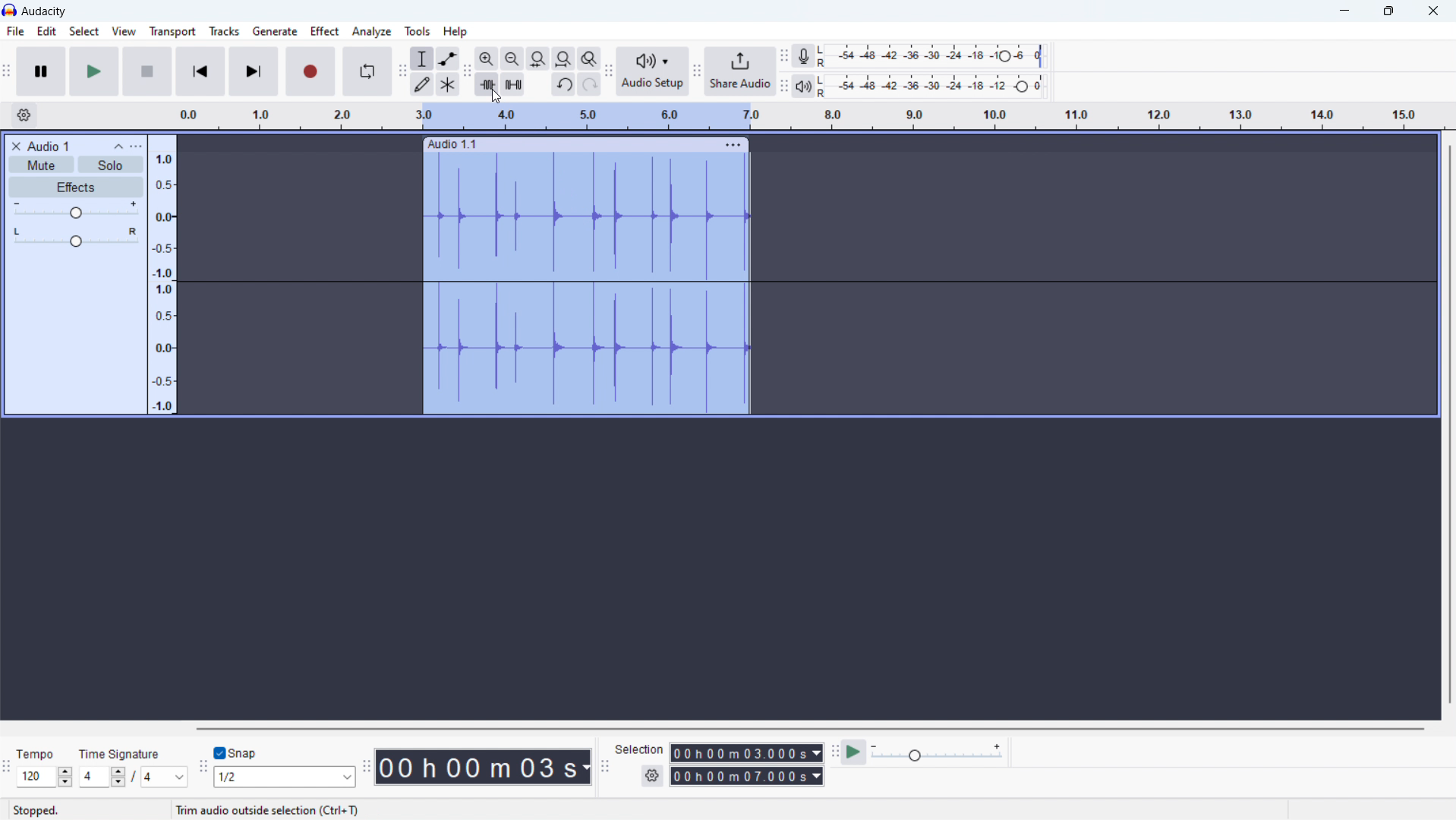  Describe the element at coordinates (808, 55) in the screenshot. I see `recording meter` at that location.